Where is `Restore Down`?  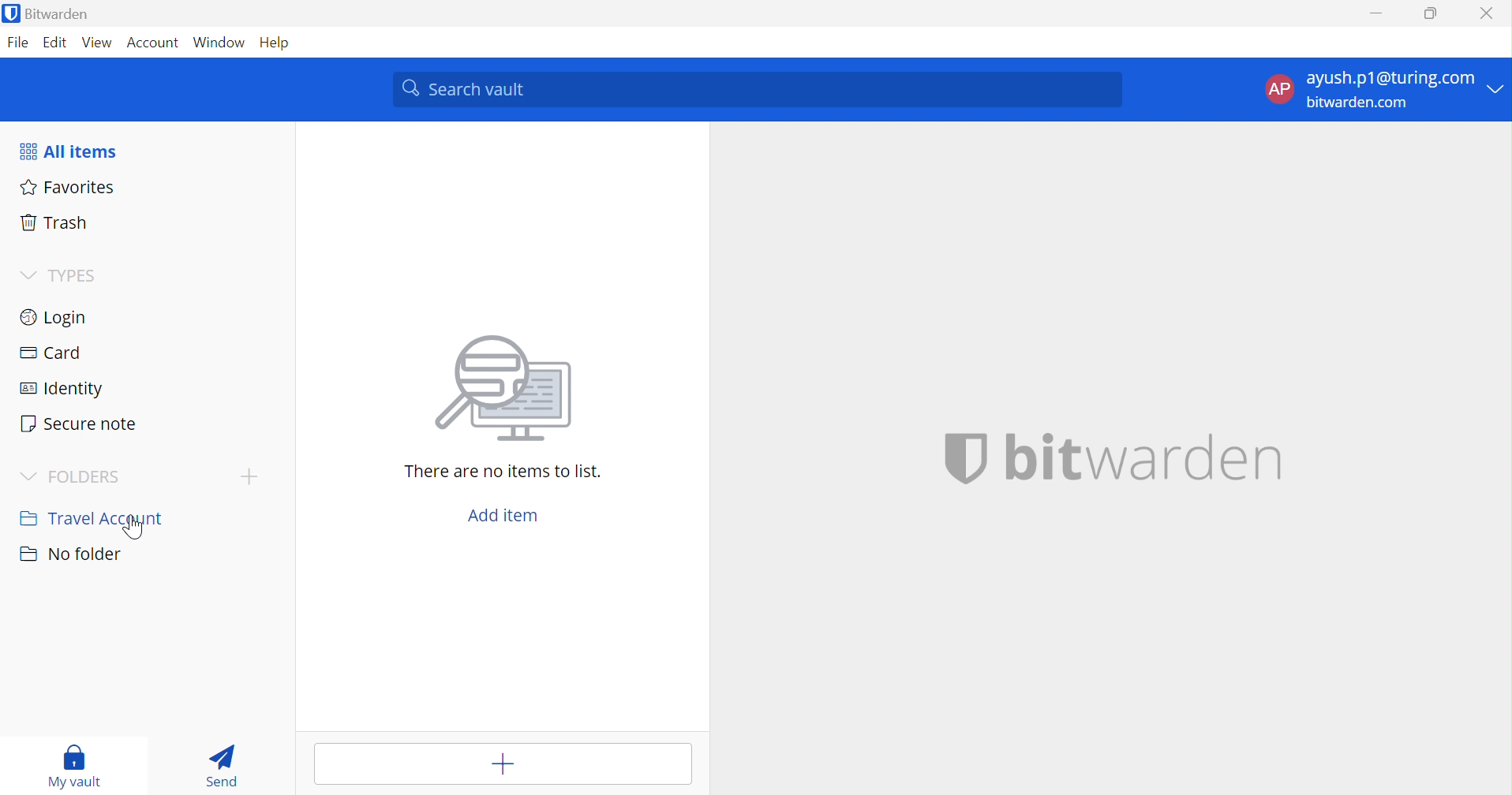 Restore Down is located at coordinates (1430, 17).